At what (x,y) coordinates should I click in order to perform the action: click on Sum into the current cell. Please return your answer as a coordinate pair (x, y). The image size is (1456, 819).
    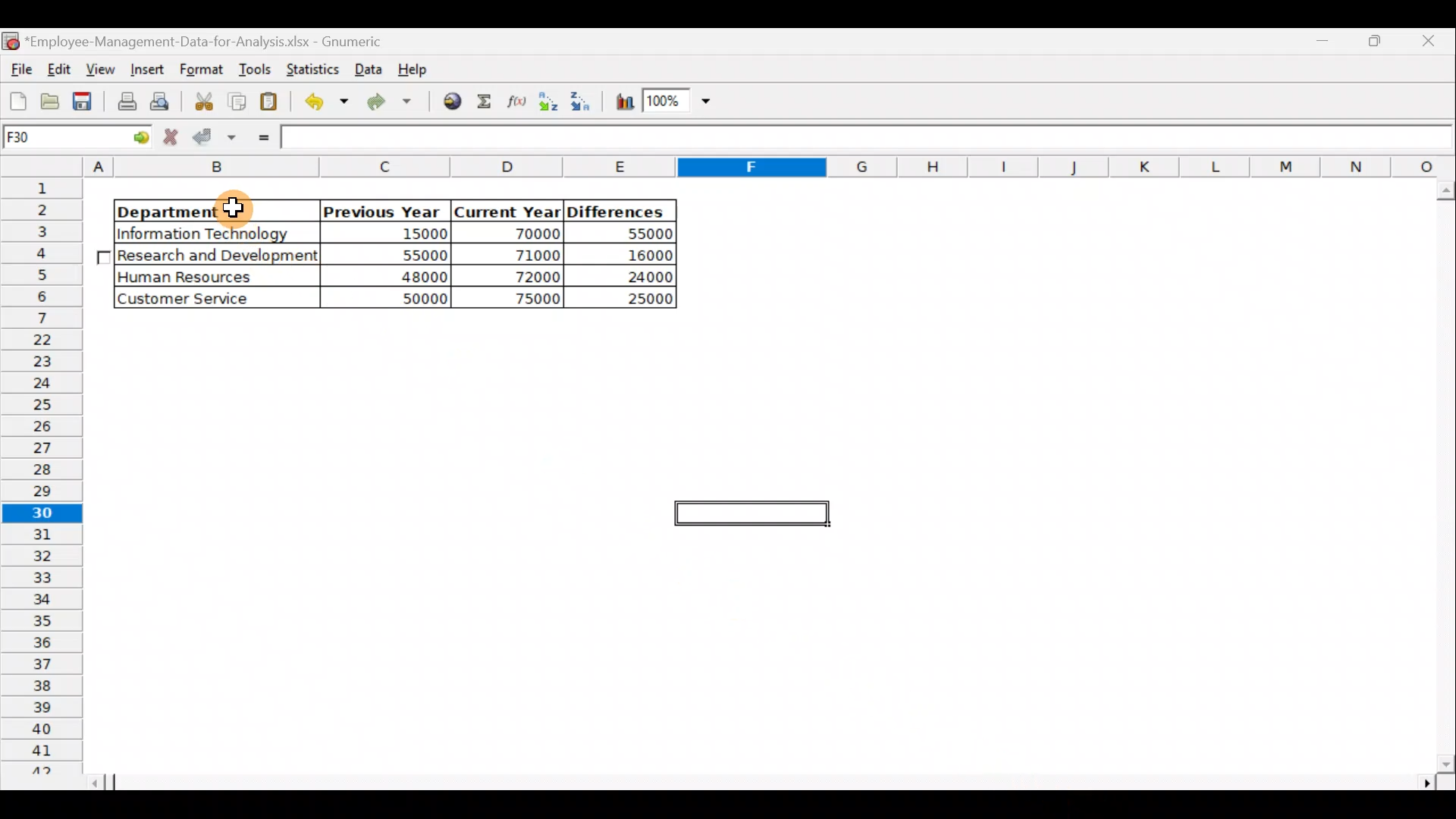
    Looking at the image, I should click on (485, 100).